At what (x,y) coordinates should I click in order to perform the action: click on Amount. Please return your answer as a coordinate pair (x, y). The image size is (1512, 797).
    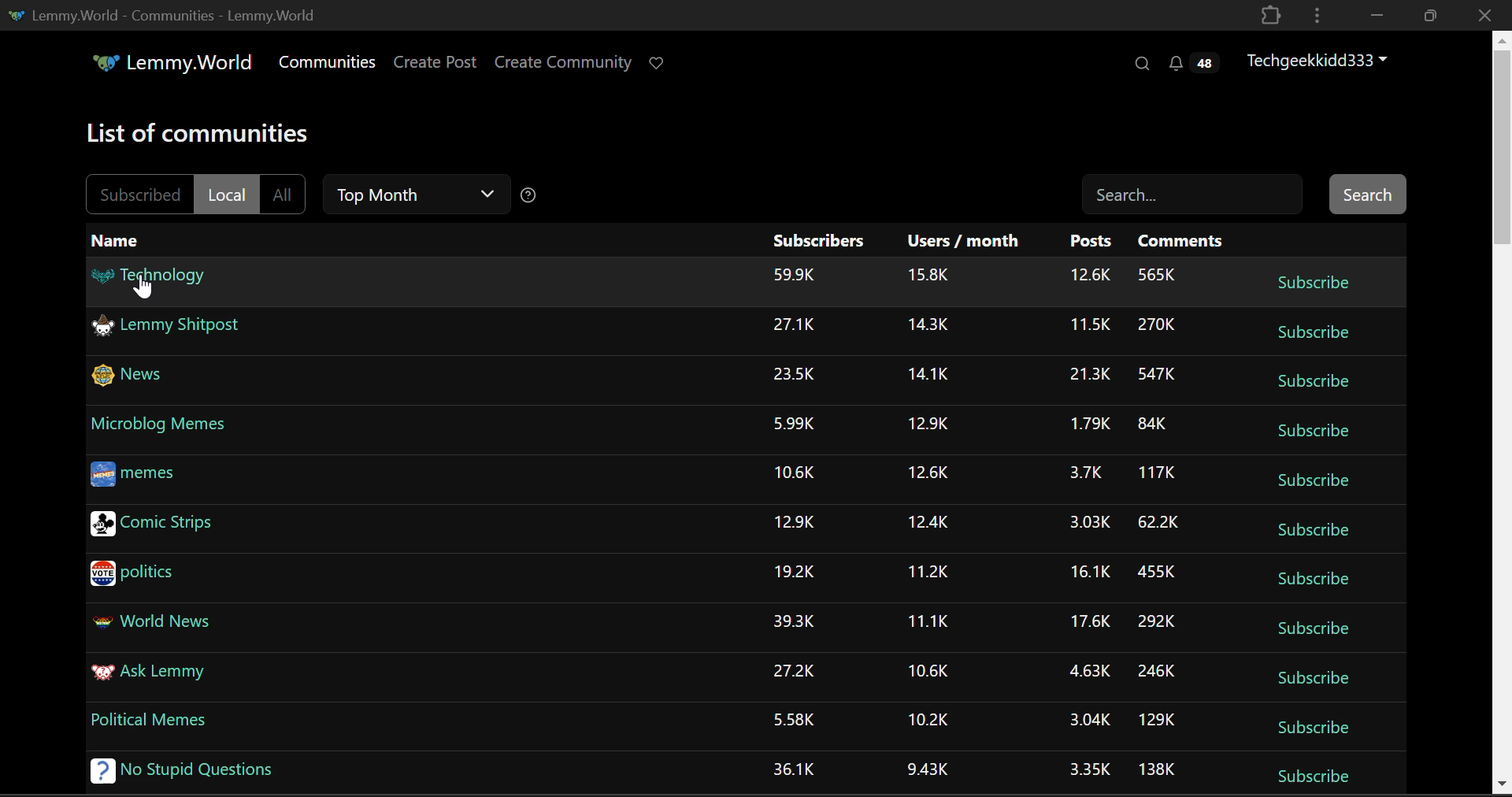
    Looking at the image, I should click on (1091, 572).